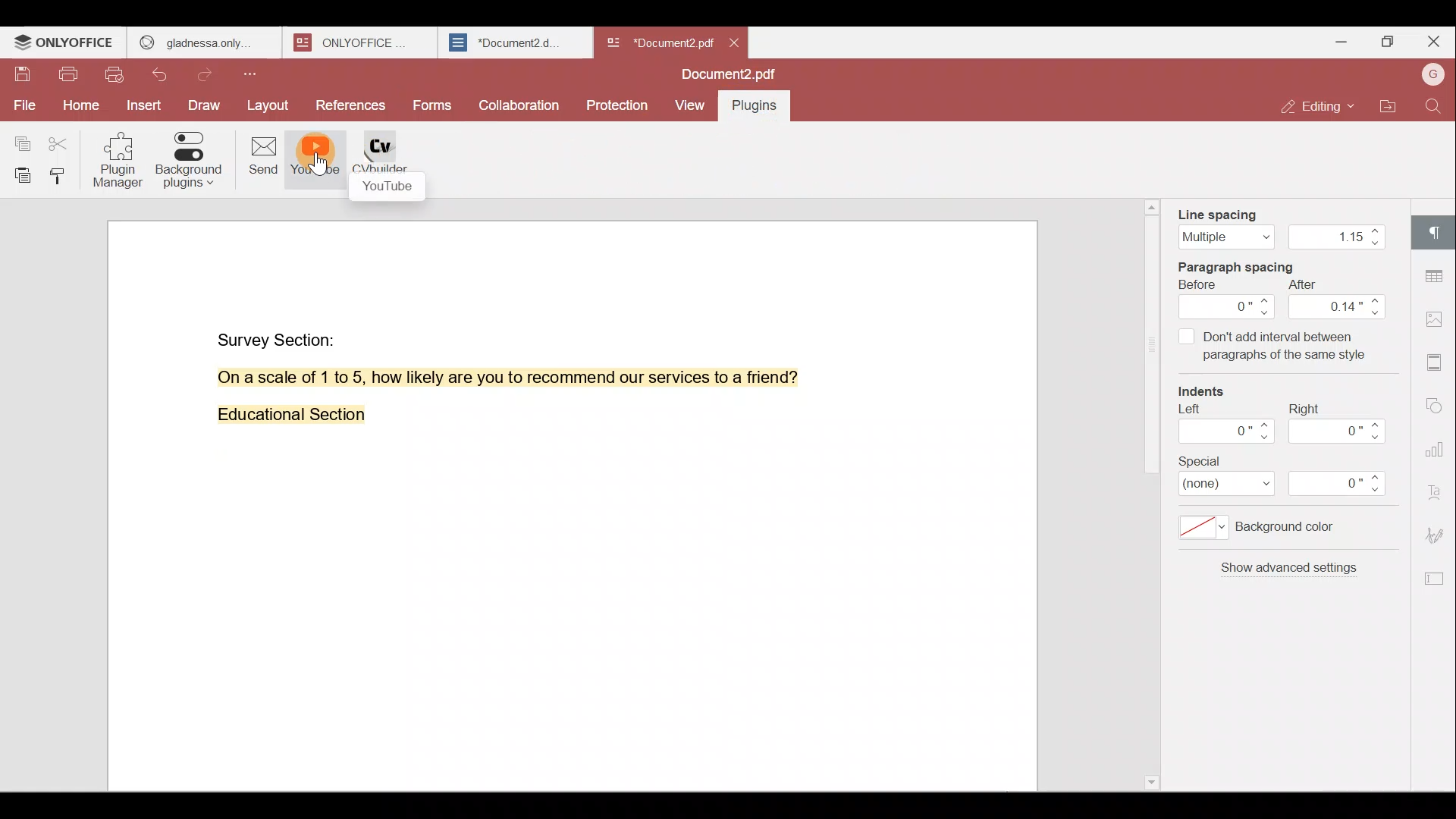  I want to click on Show advanced settings, so click(1286, 574).